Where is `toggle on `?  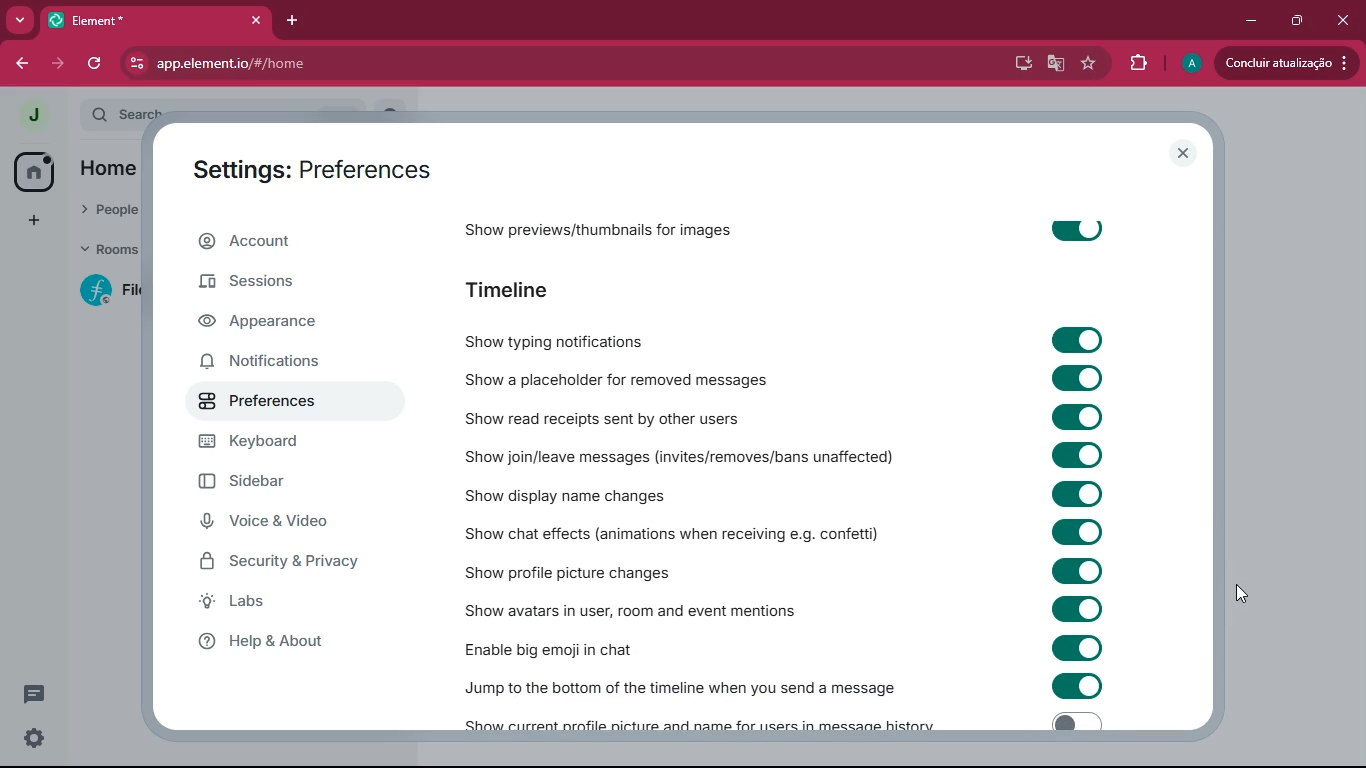 toggle on  is located at coordinates (1073, 417).